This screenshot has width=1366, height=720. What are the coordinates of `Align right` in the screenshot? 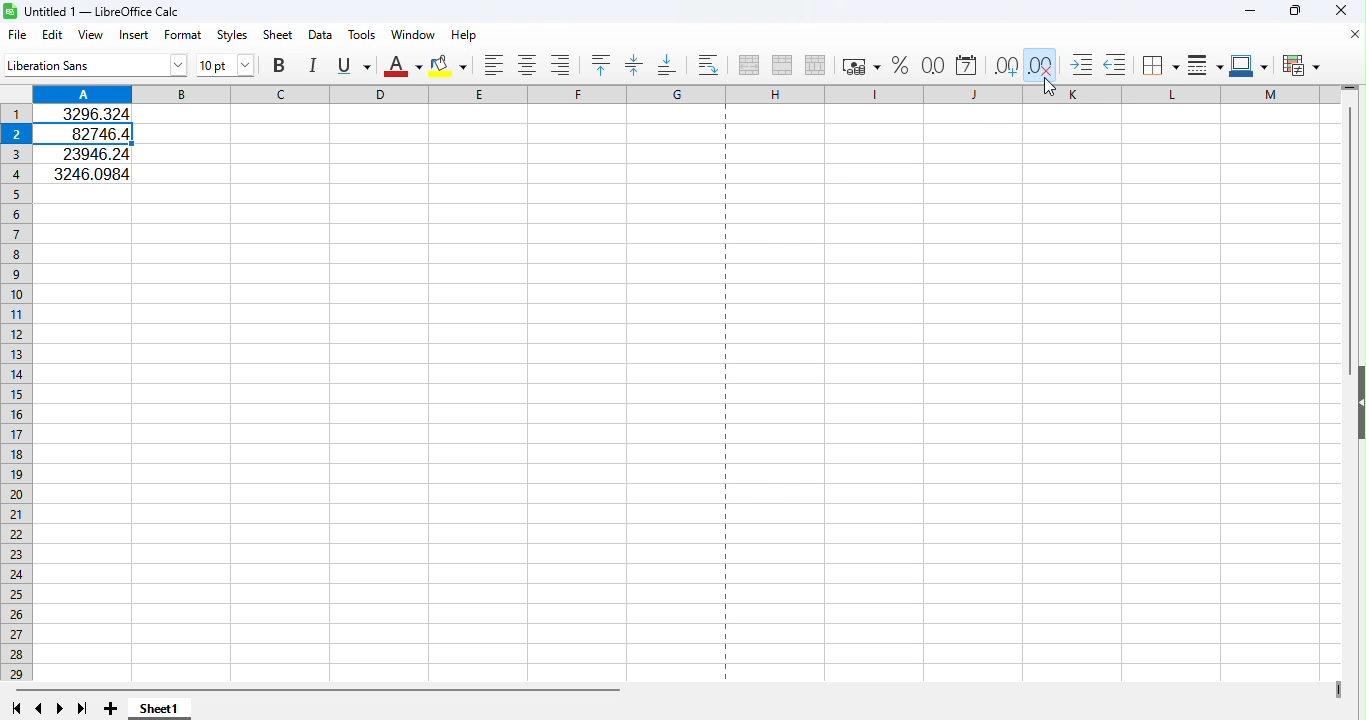 It's located at (557, 66).